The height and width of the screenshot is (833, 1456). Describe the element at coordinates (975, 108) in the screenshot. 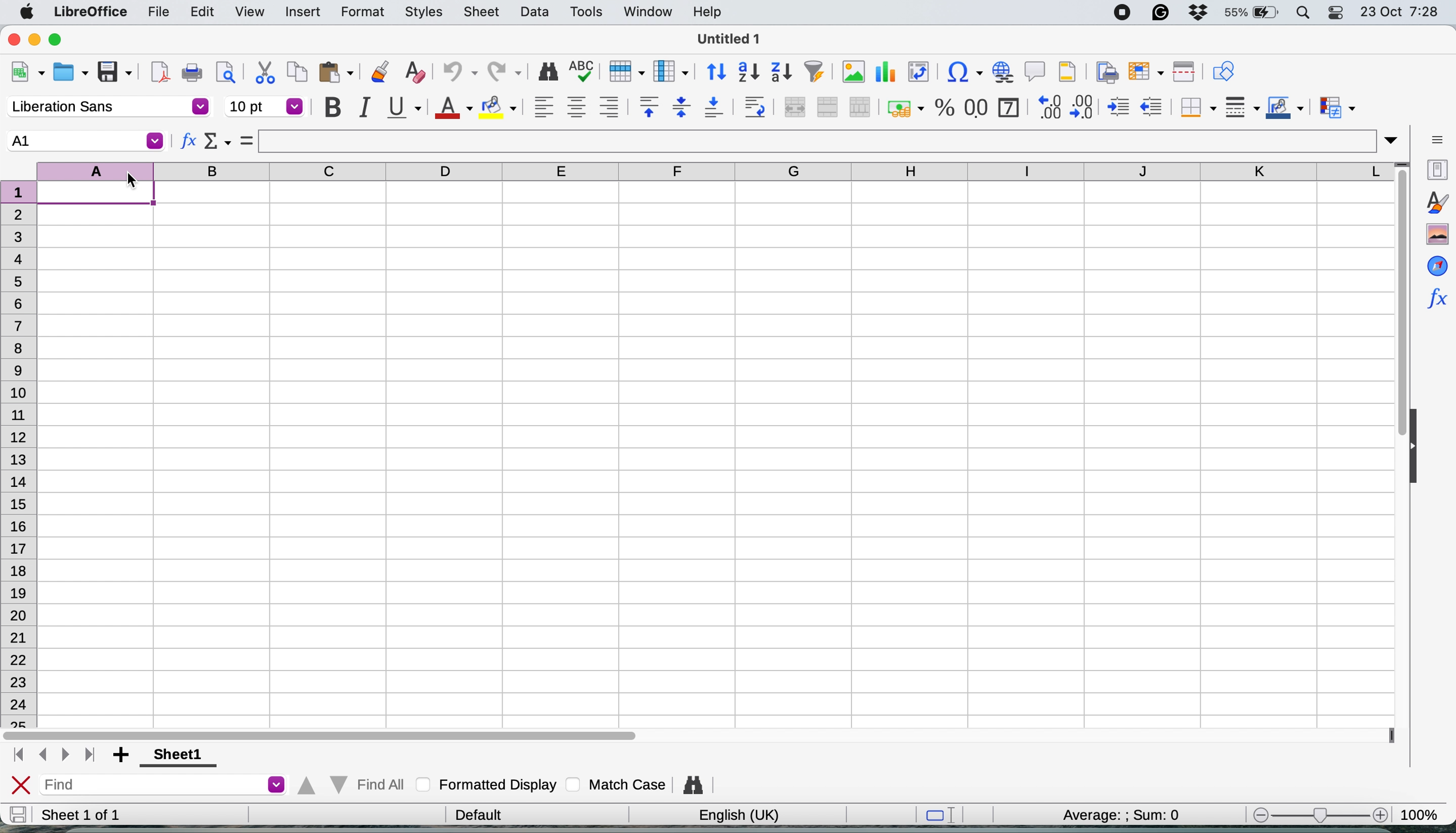

I see `format as number` at that location.